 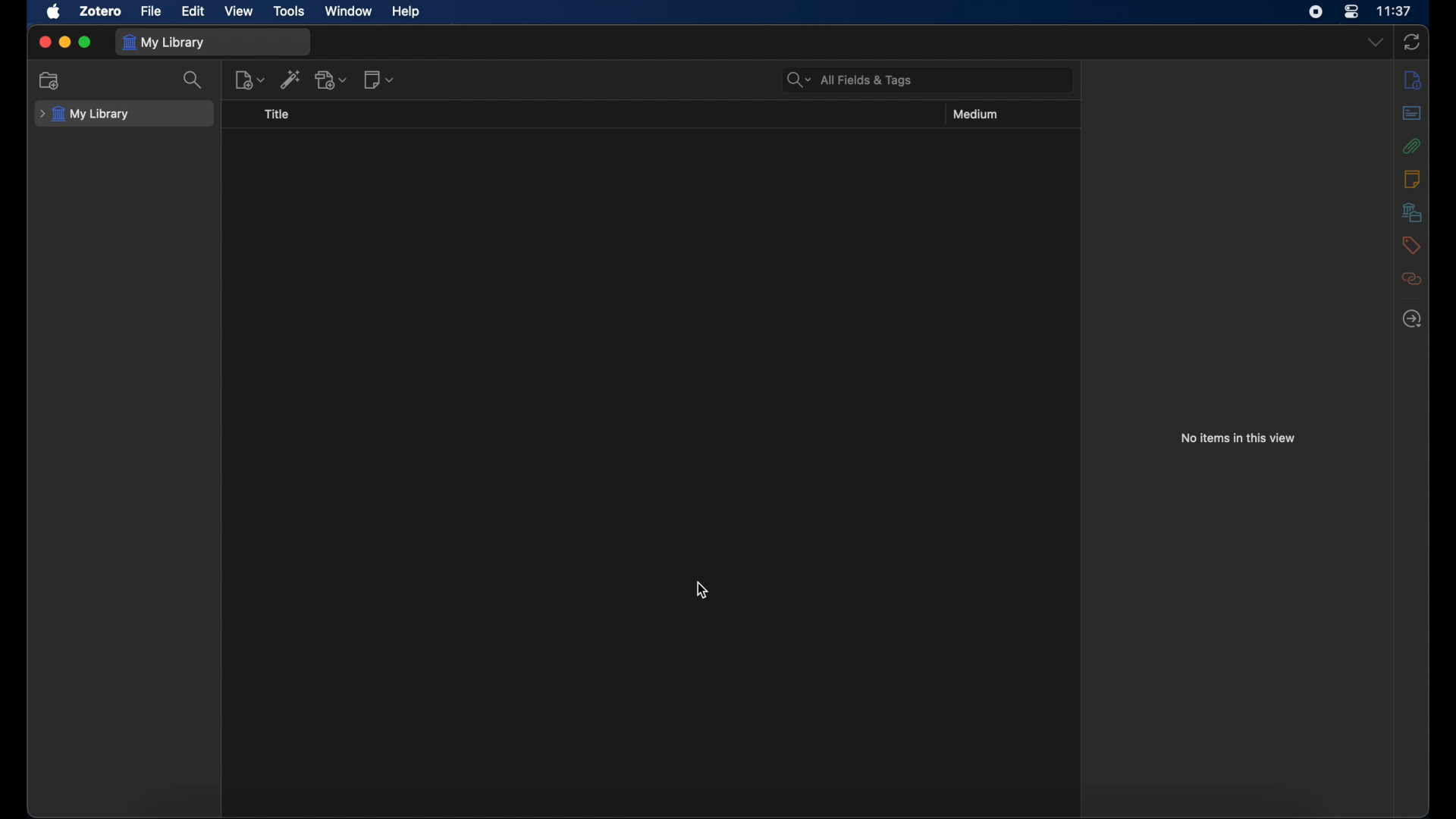 What do you see at coordinates (85, 114) in the screenshot?
I see `my library` at bounding box center [85, 114].